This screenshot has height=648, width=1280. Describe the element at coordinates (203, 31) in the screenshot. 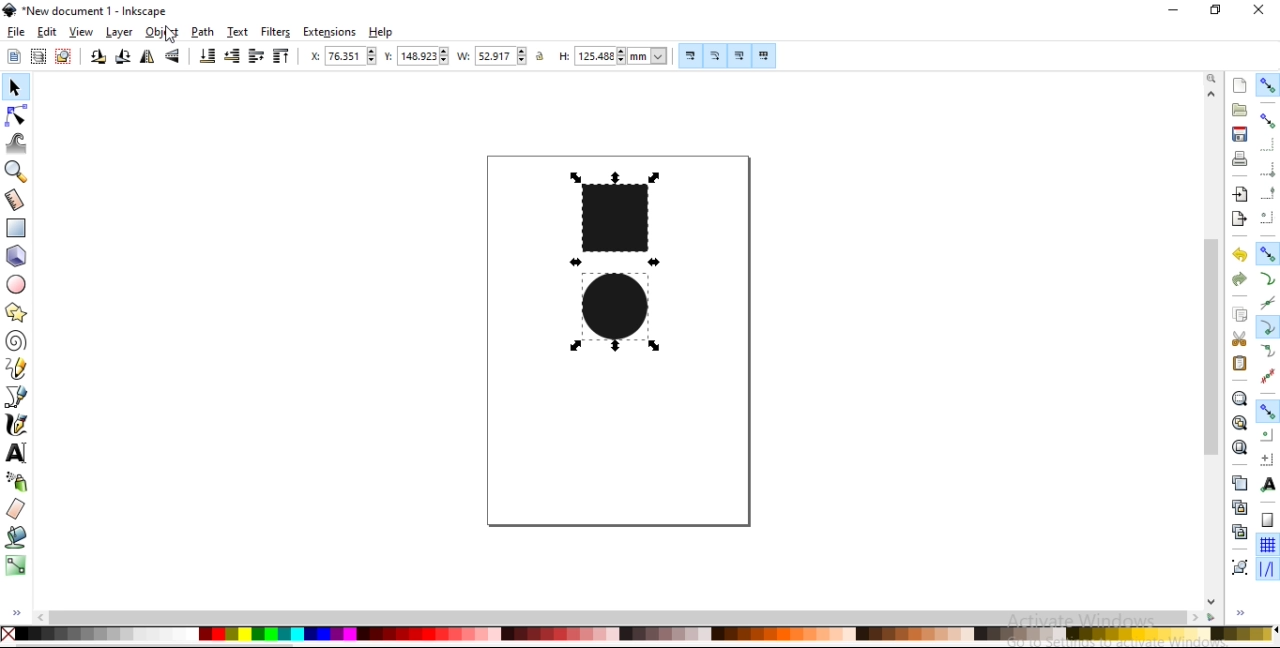

I see `path` at that location.